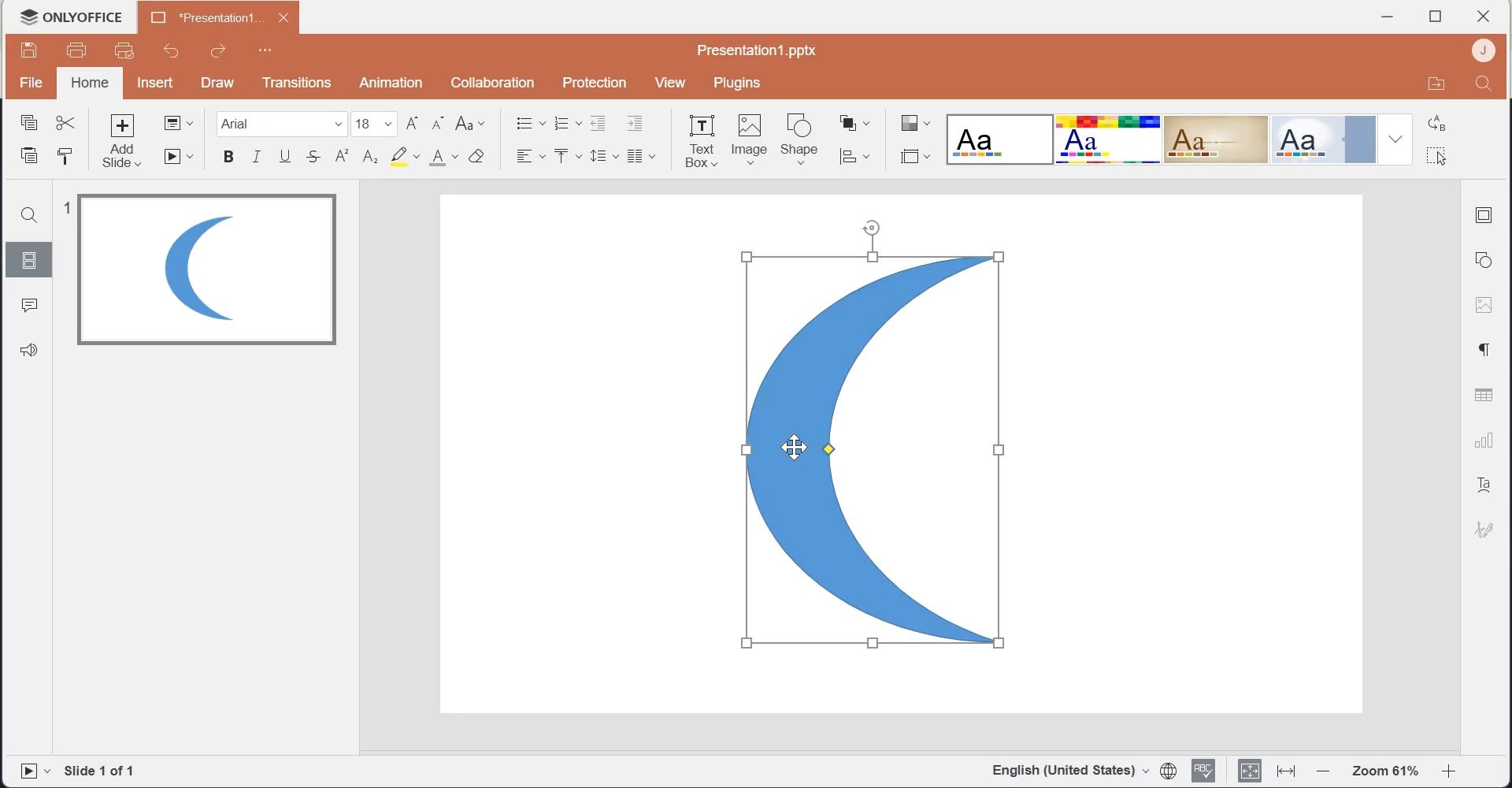  Describe the element at coordinates (1485, 438) in the screenshot. I see `Charts` at that location.